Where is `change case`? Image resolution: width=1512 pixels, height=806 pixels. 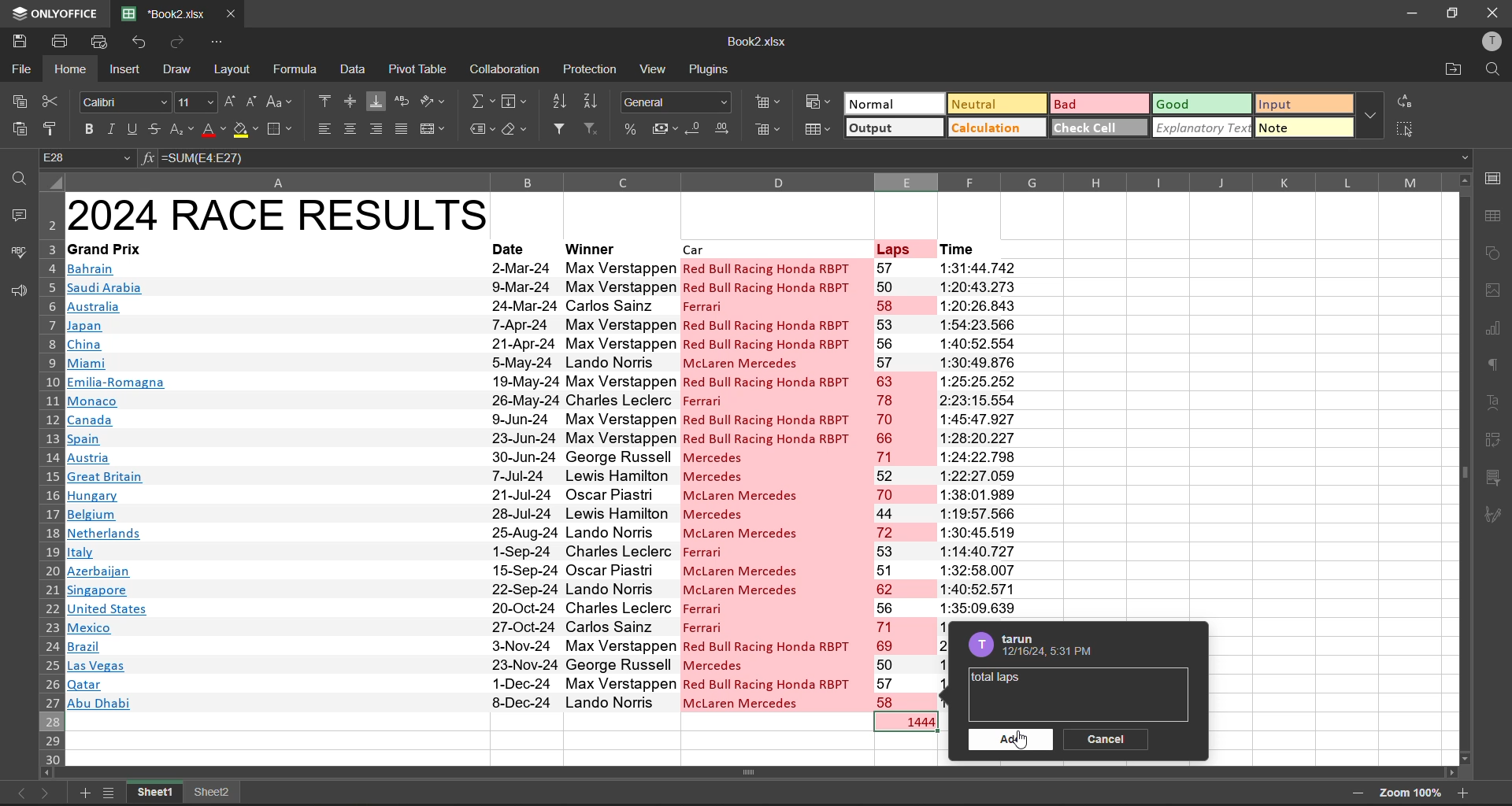
change case is located at coordinates (279, 102).